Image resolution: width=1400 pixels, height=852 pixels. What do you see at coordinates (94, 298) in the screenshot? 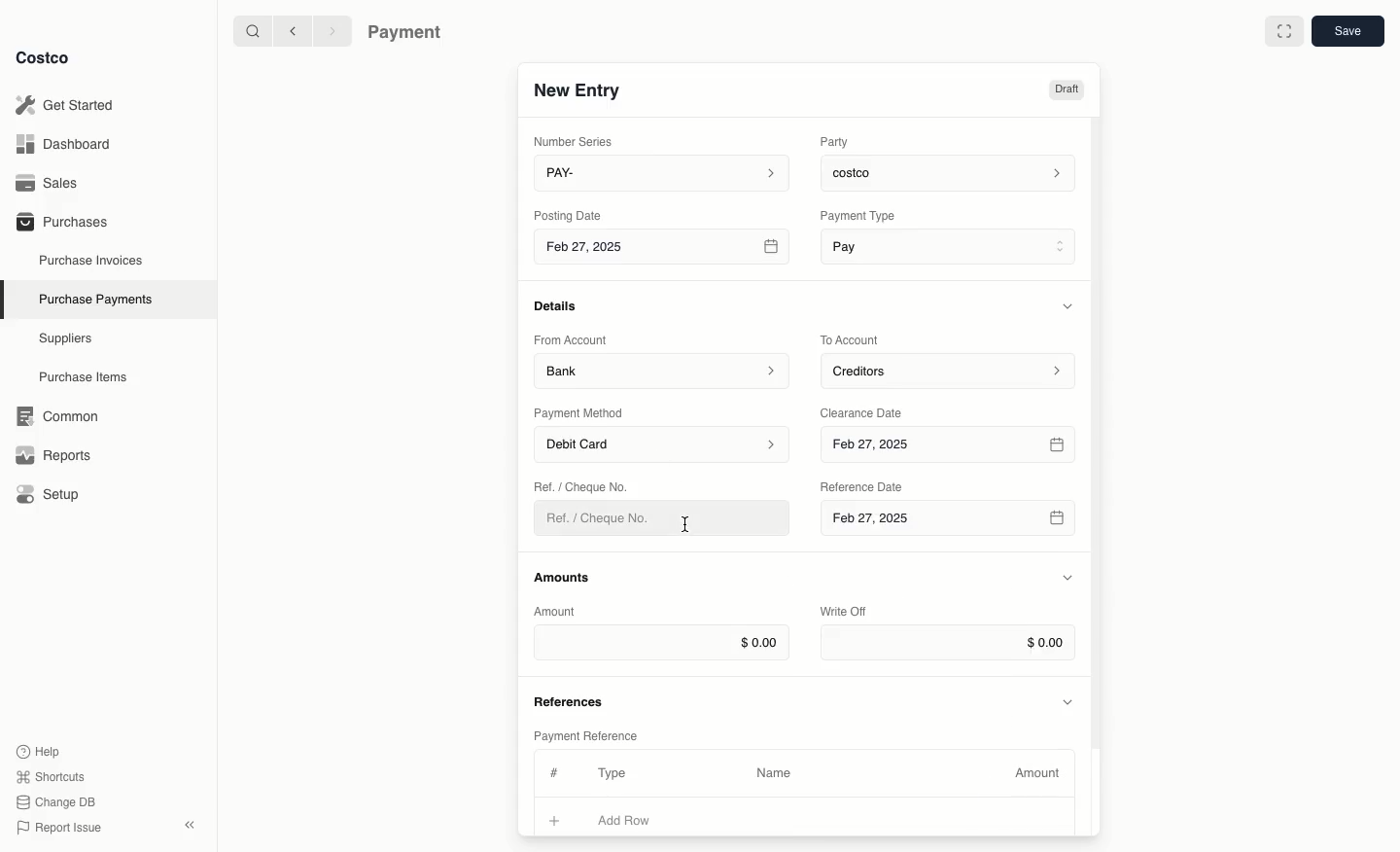
I see `Purchase Payments` at bounding box center [94, 298].